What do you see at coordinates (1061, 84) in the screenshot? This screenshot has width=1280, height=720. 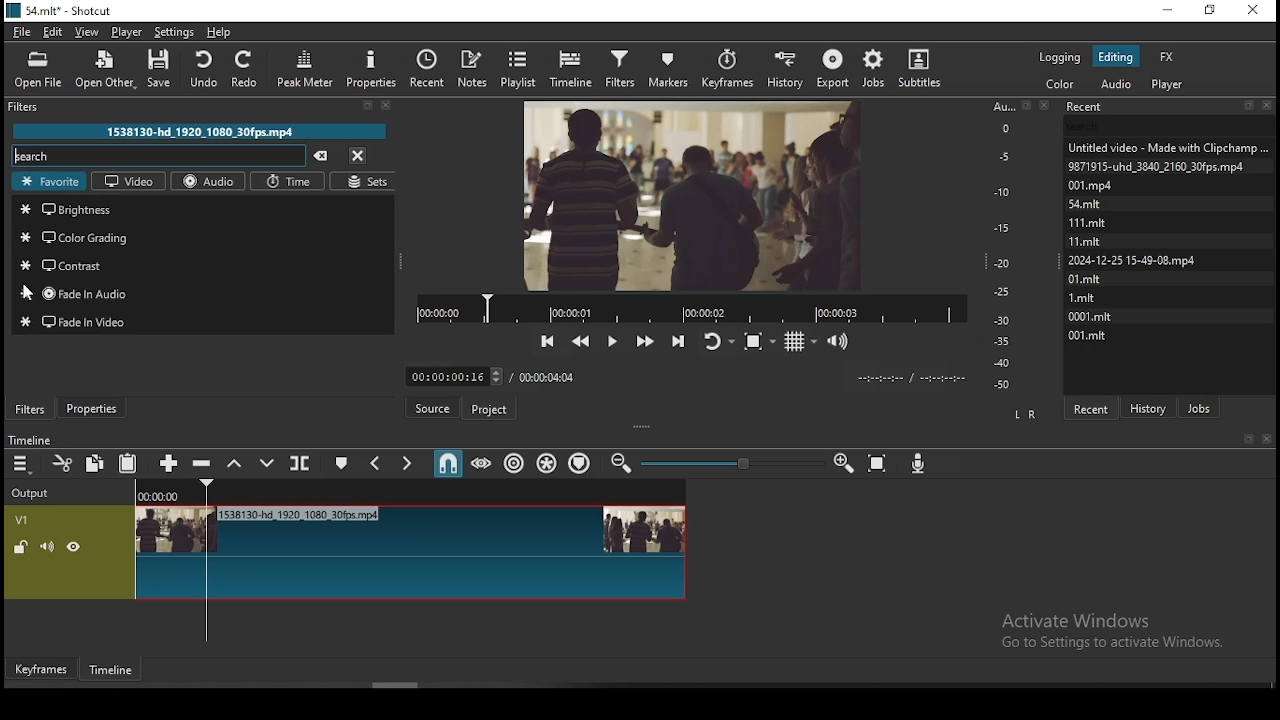 I see `color` at bounding box center [1061, 84].